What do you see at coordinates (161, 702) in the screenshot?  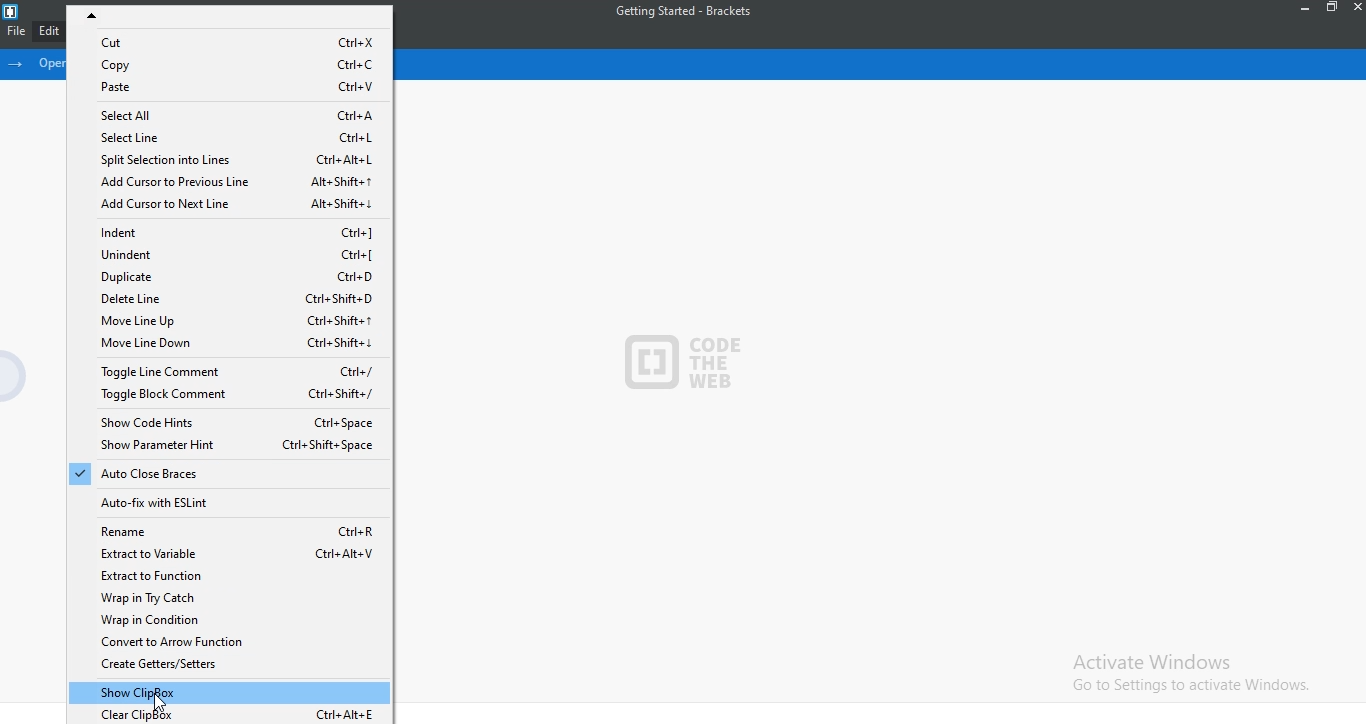 I see `cursor` at bounding box center [161, 702].